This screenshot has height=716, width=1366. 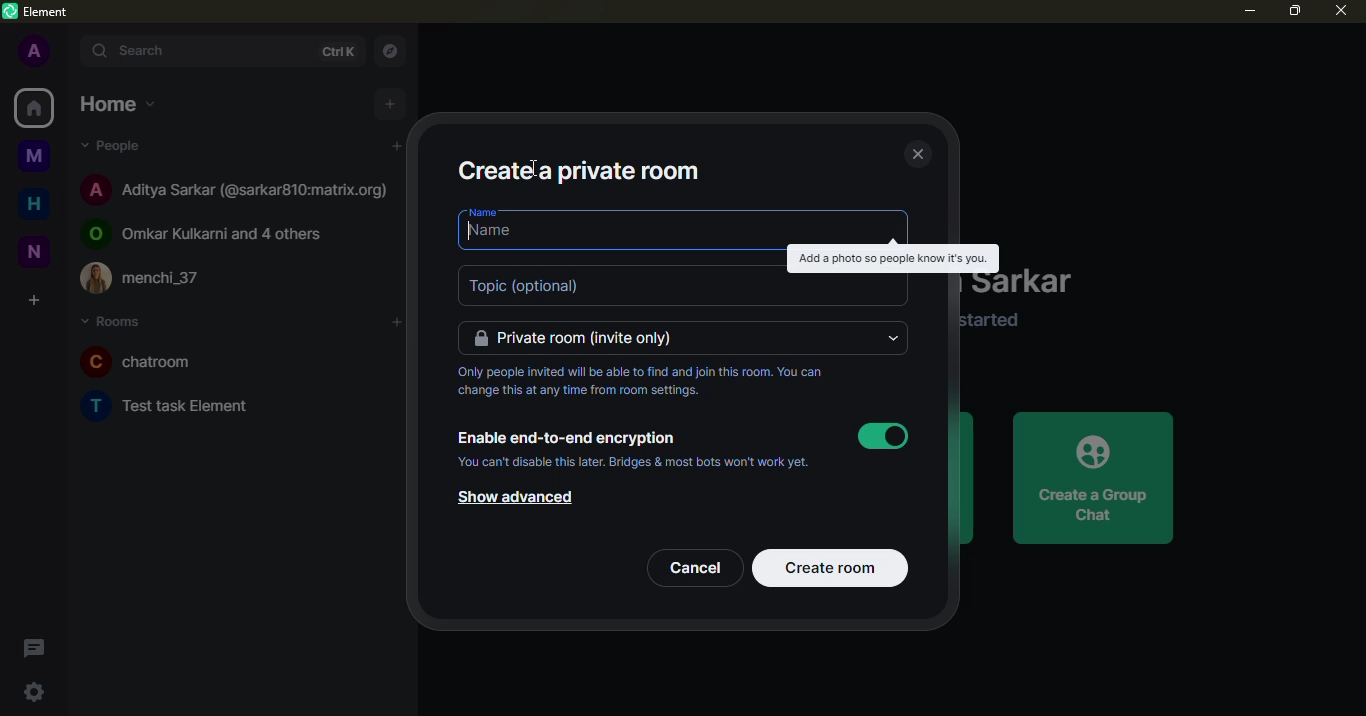 What do you see at coordinates (883, 436) in the screenshot?
I see `enabled` at bounding box center [883, 436].